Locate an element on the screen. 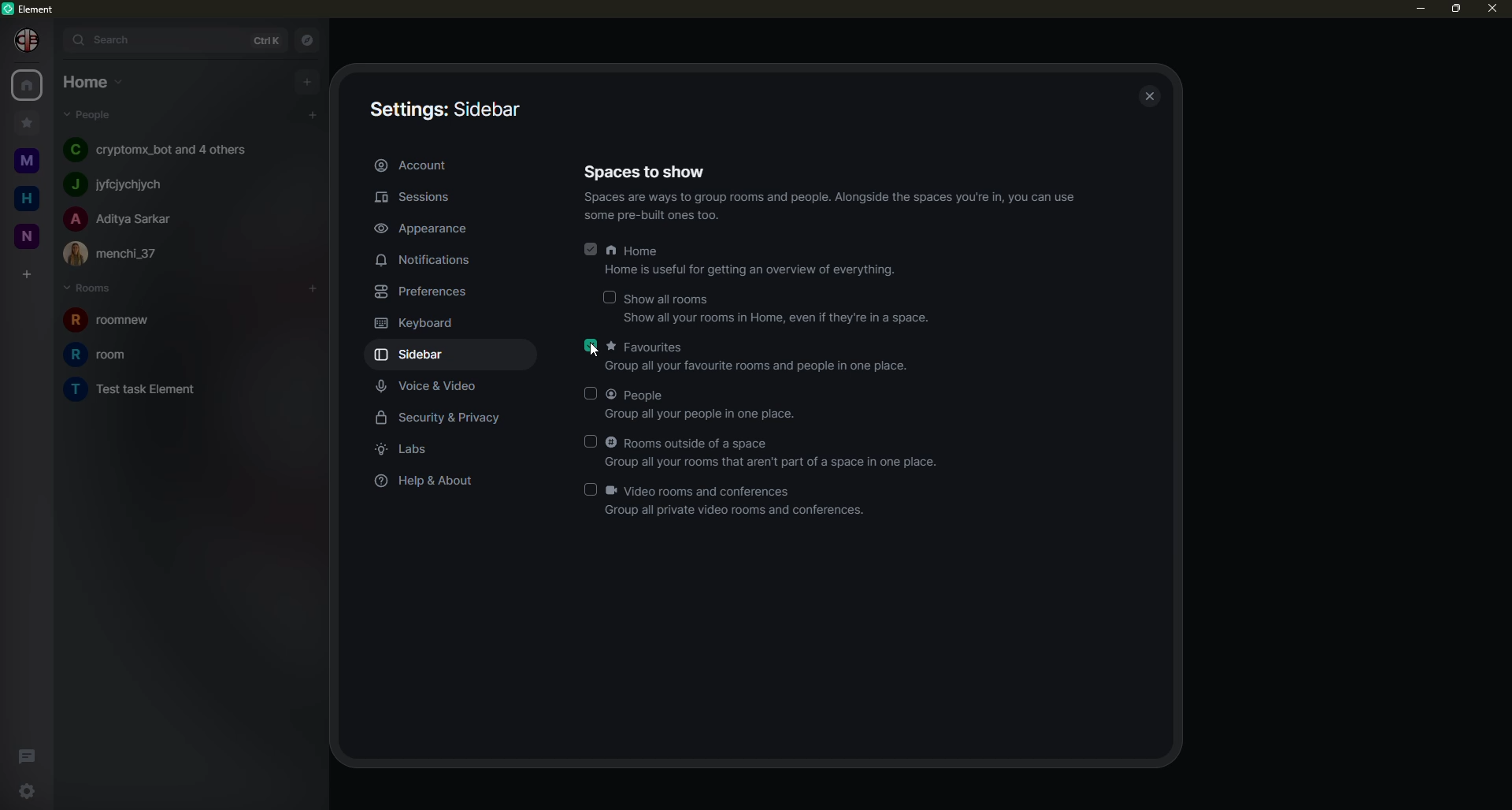  enabled is located at coordinates (588, 345).